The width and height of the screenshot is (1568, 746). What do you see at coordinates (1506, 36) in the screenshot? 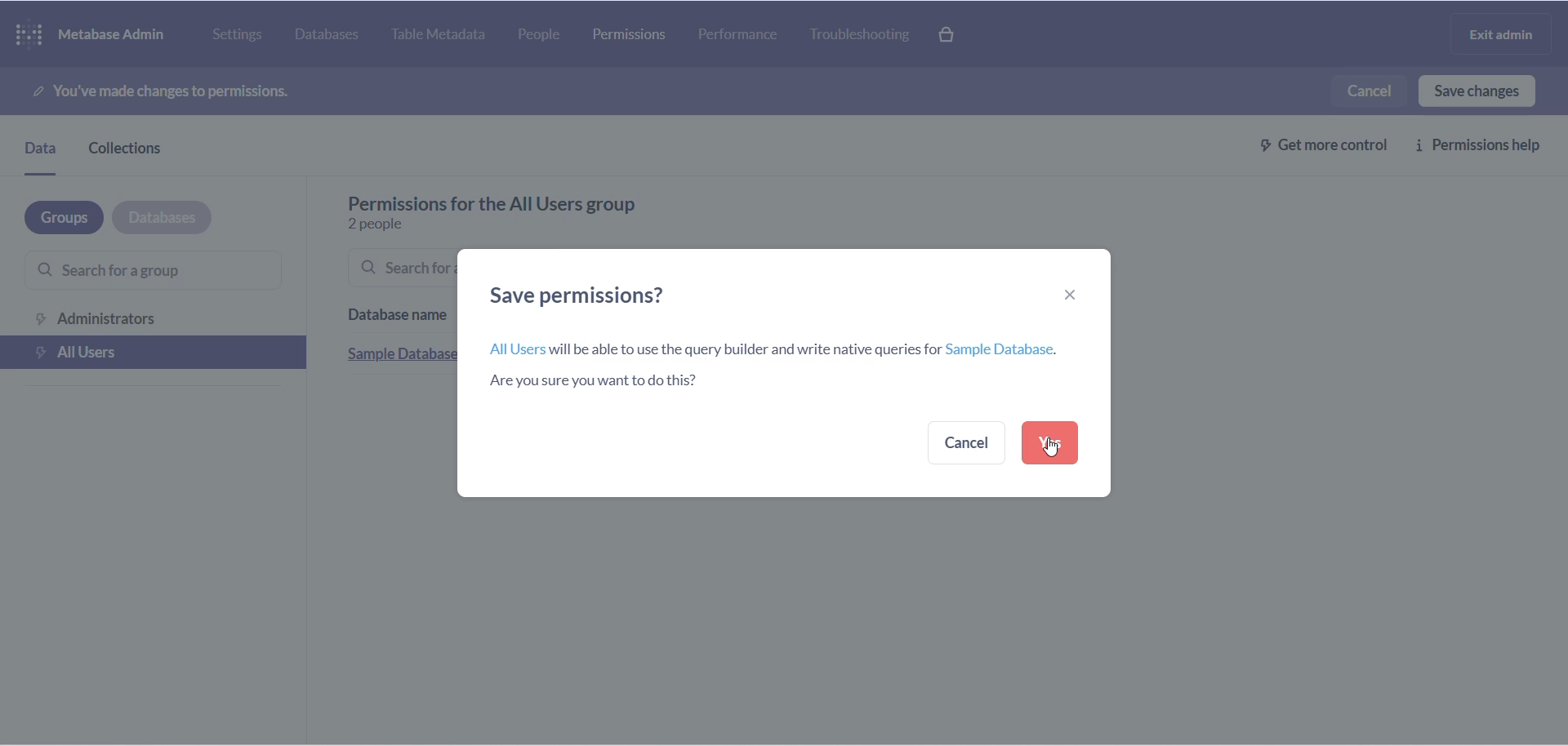
I see `exit admin logo` at bounding box center [1506, 36].